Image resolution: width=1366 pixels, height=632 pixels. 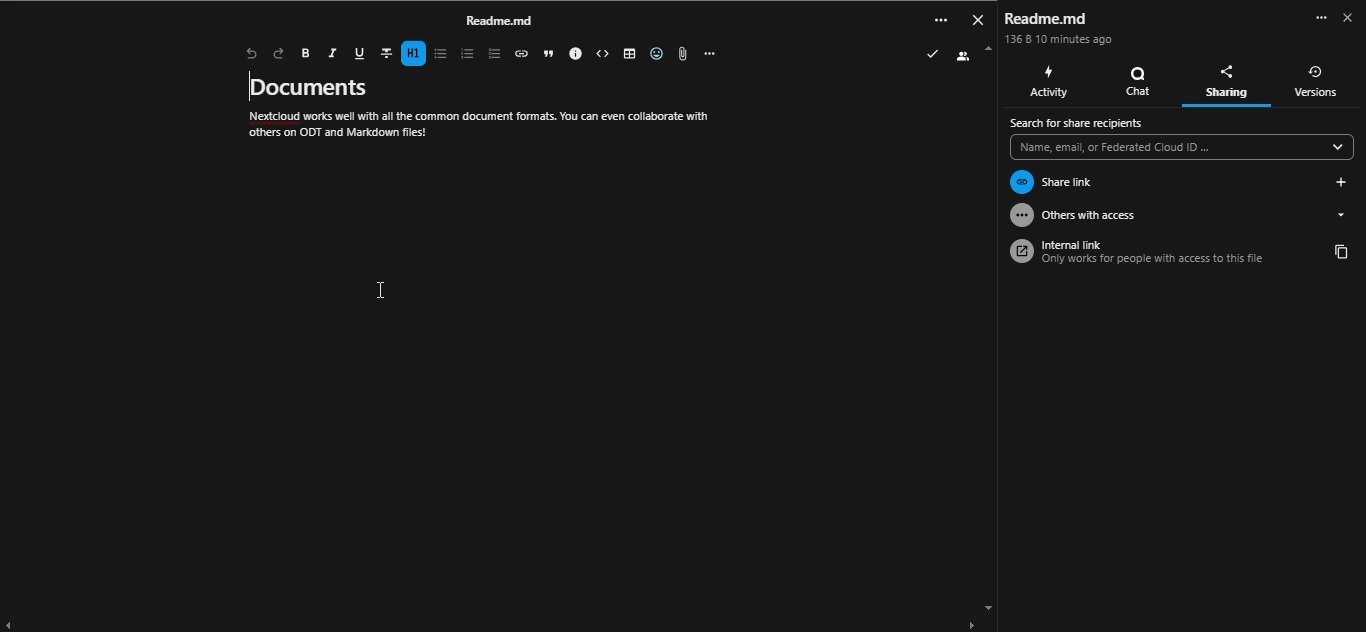 I want to click on emoji, so click(x=656, y=52).